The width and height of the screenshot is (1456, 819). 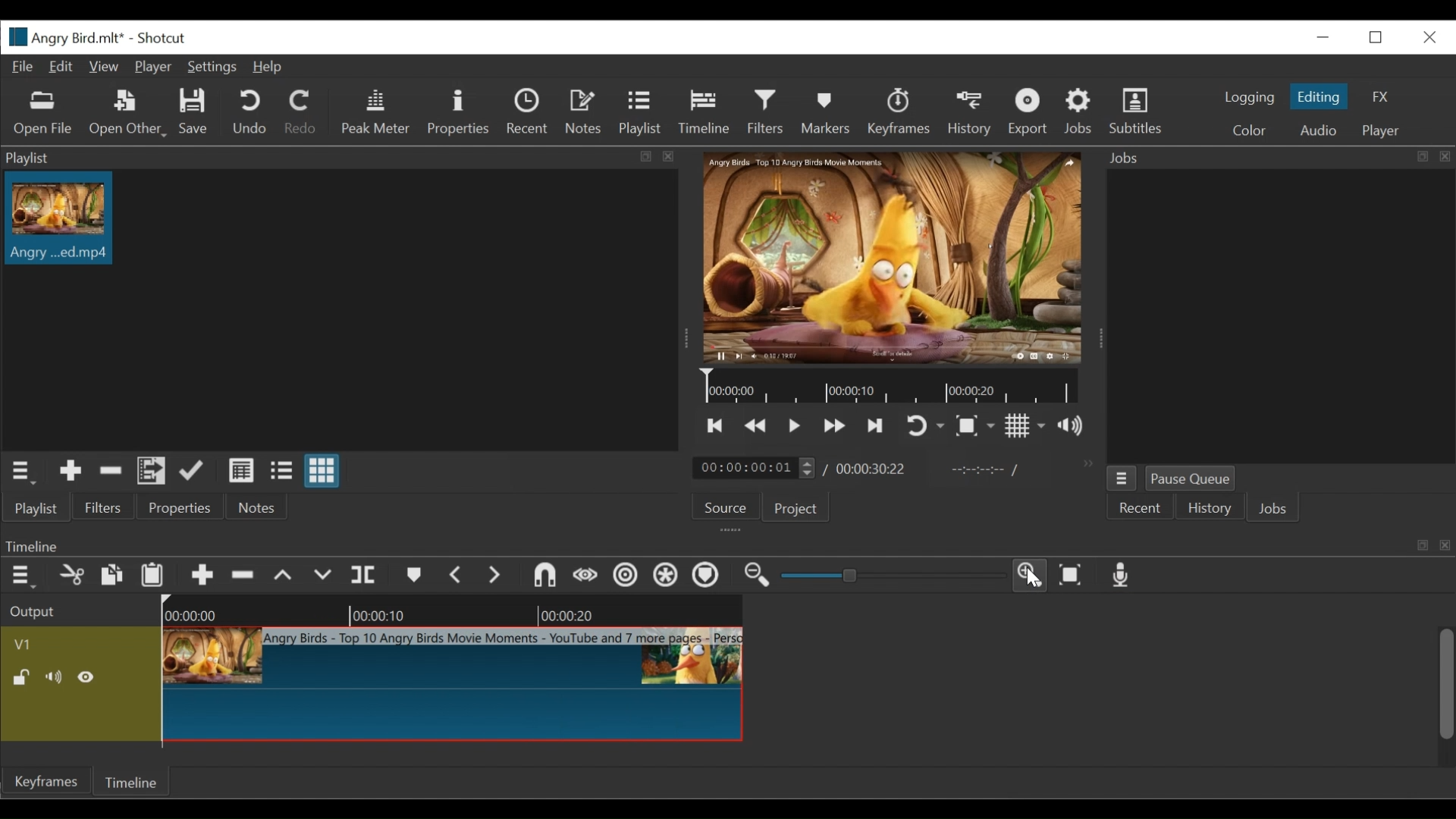 I want to click on Zoom timeline in, so click(x=1032, y=577).